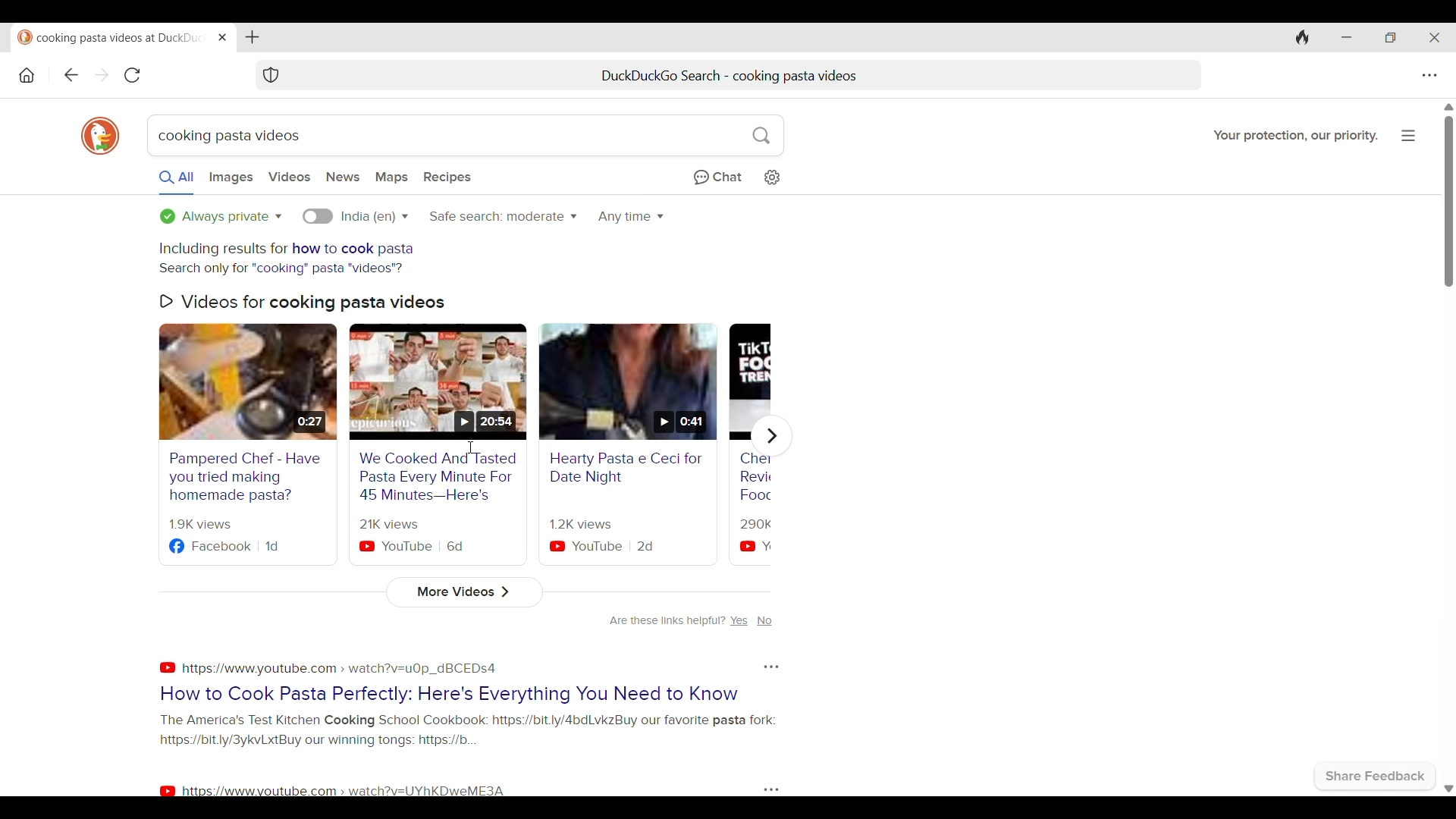 This screenshot has width=1456, height=819. What do you see at coordinates (270, 75) in the screenshot?
I see `Browser protection` at bounding box center [270, 75].